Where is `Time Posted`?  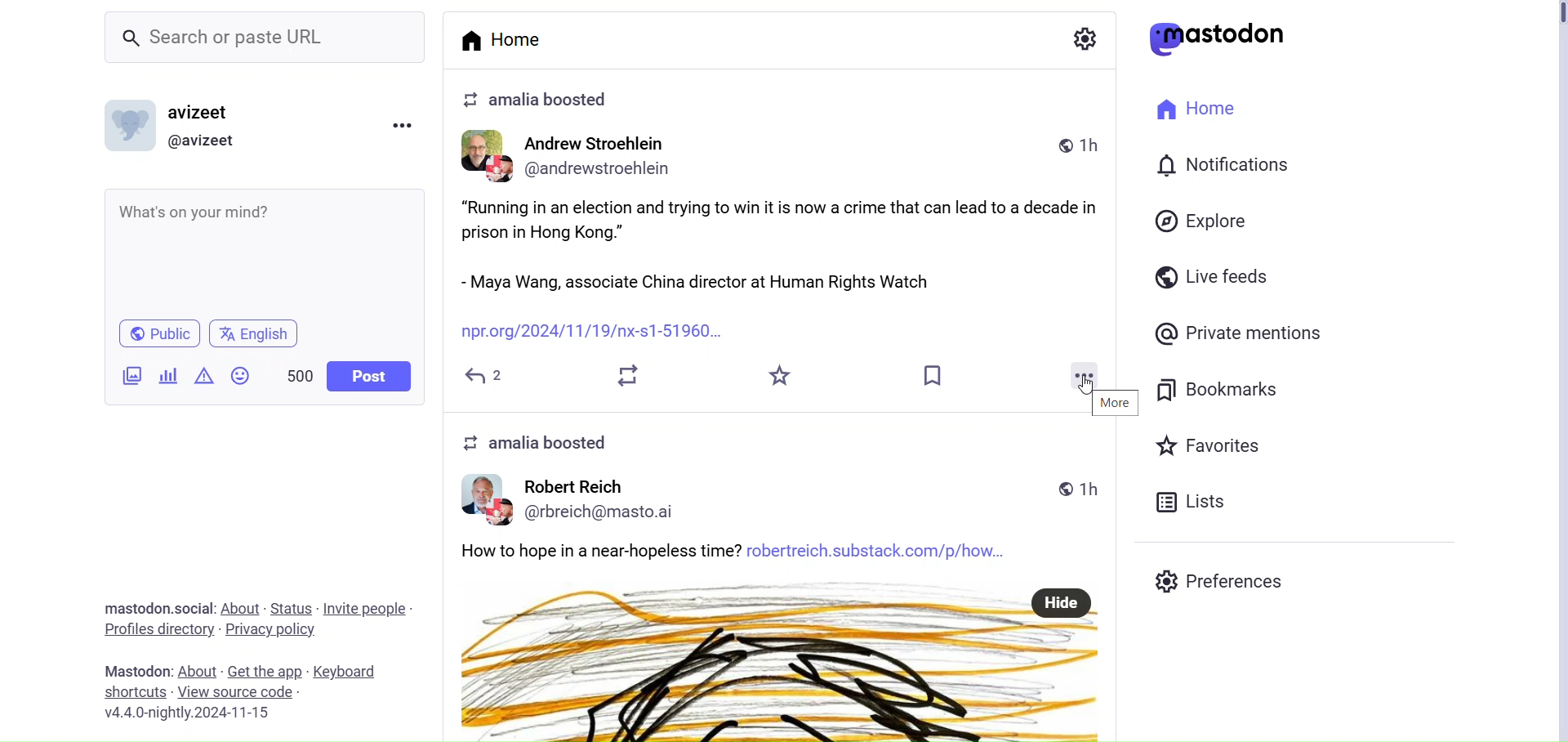
Time Posted is located at coordinates (1074, 143).